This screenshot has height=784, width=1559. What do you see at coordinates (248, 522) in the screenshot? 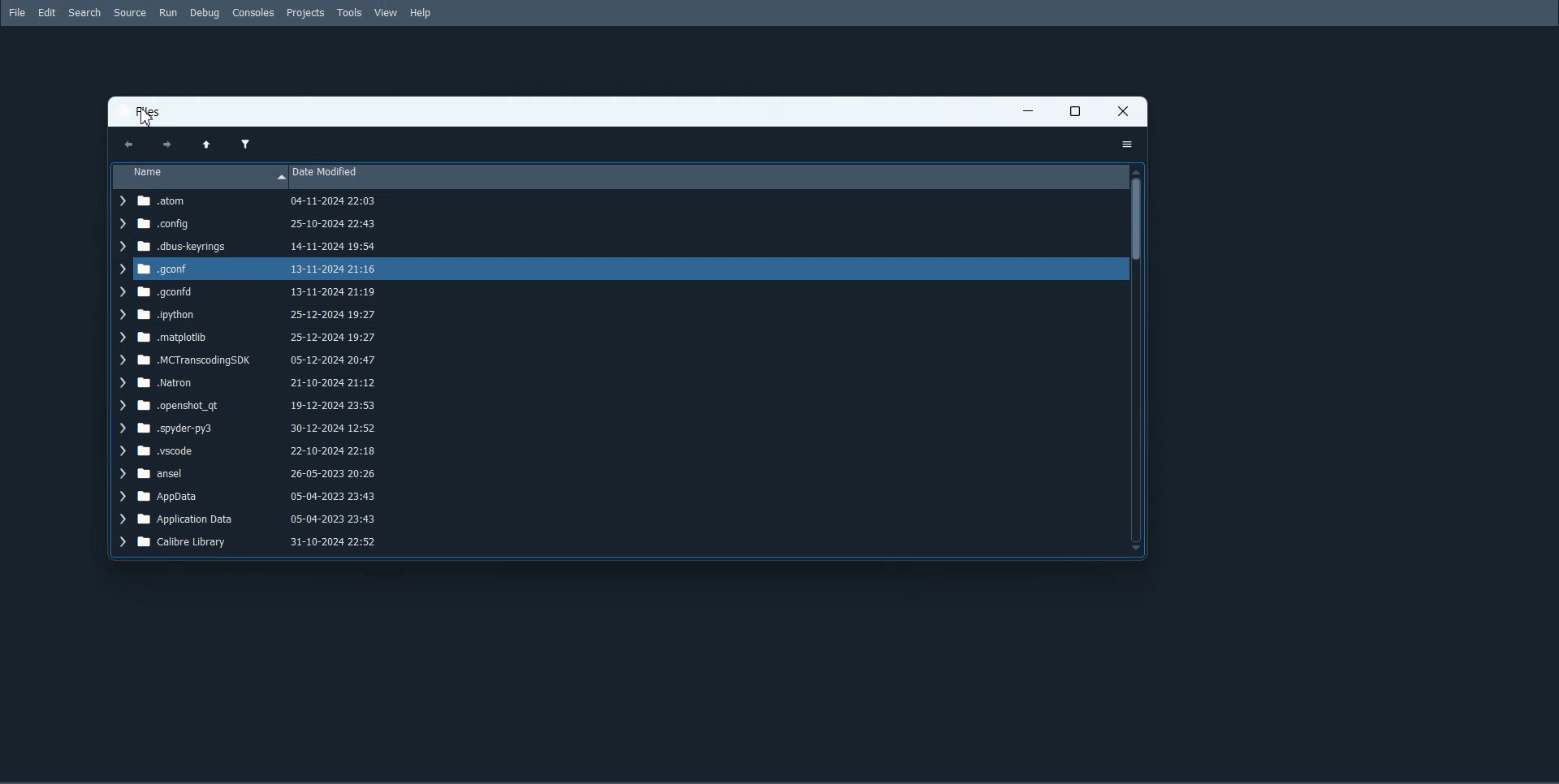
I see `Application Data 05-04-2023 23:43` at bounding box center [248, 522].